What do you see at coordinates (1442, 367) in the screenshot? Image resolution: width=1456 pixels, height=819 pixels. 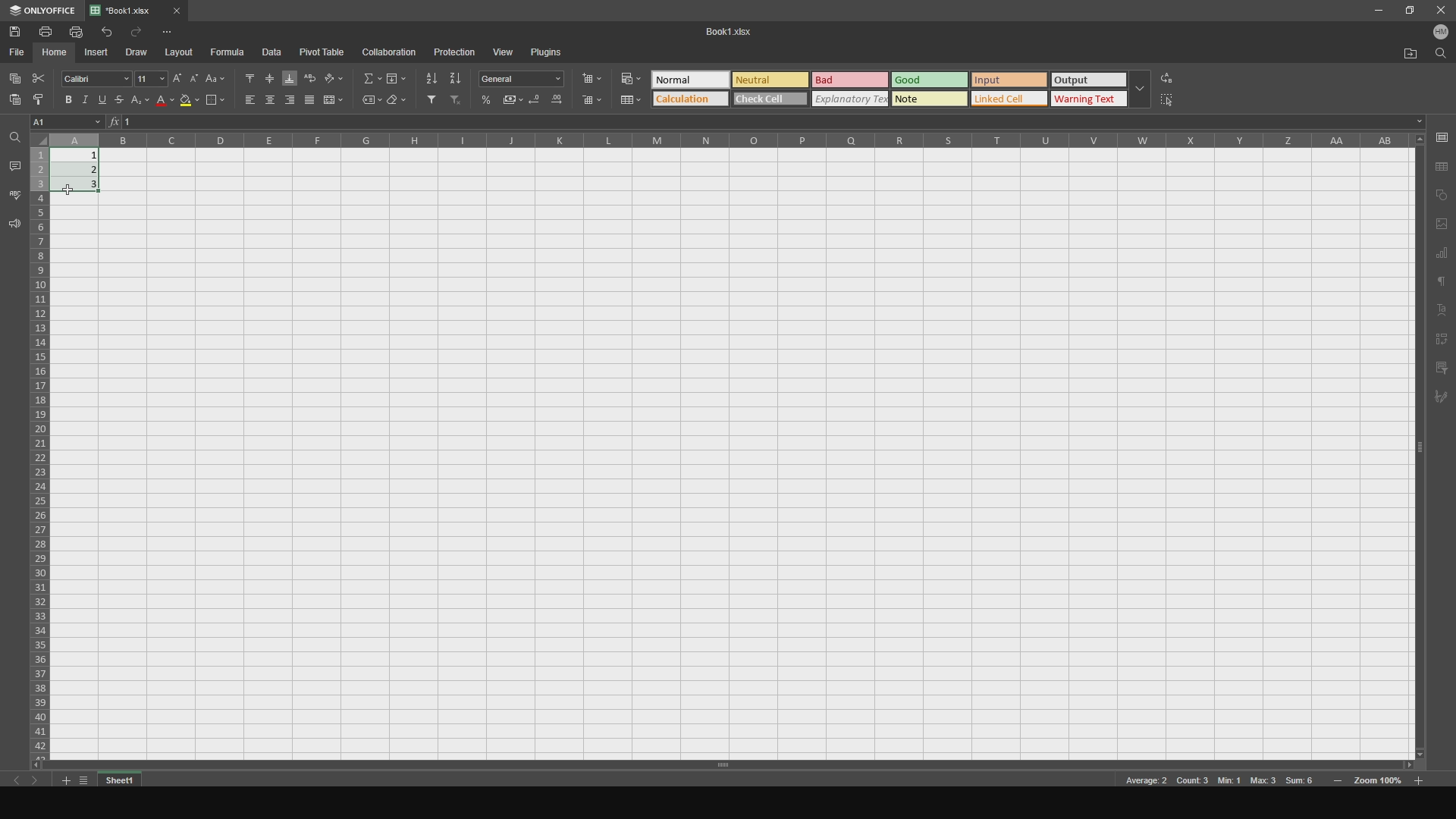 I see `filter` at bounding box center [1442, 367].